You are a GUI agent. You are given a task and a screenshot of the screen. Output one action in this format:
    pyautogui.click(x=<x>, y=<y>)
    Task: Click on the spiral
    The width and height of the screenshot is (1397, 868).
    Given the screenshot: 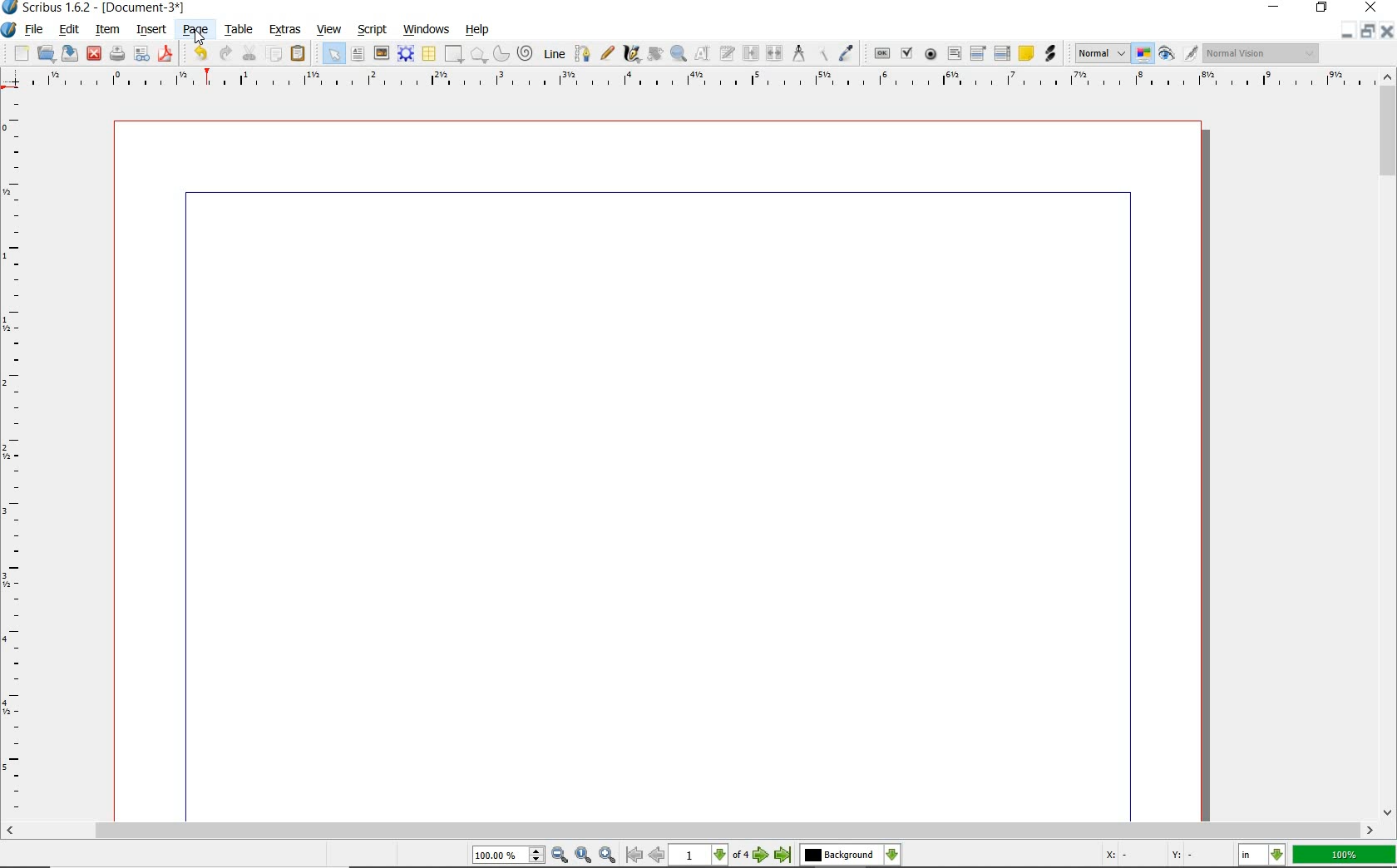 What is the action you would take?
    pyautogui.click(x=525, y=51)
    